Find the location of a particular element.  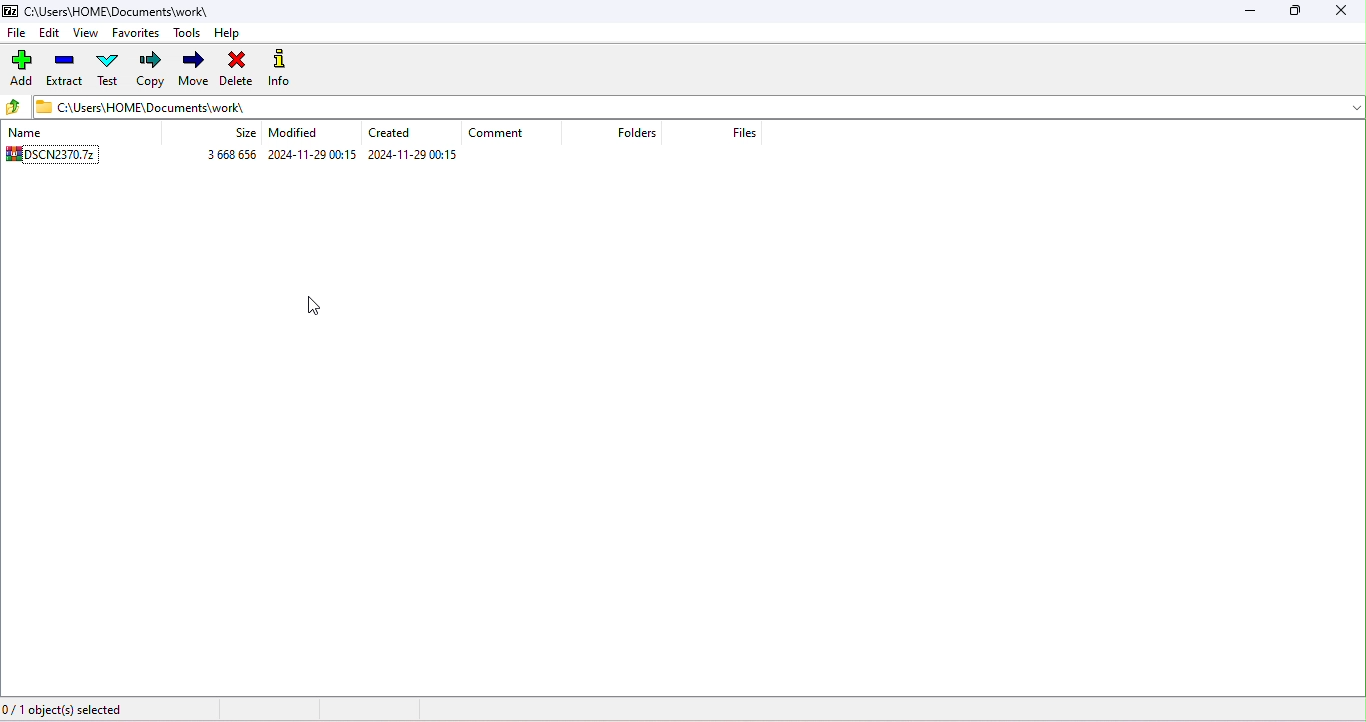

folders is located at coordinates (637, 135).